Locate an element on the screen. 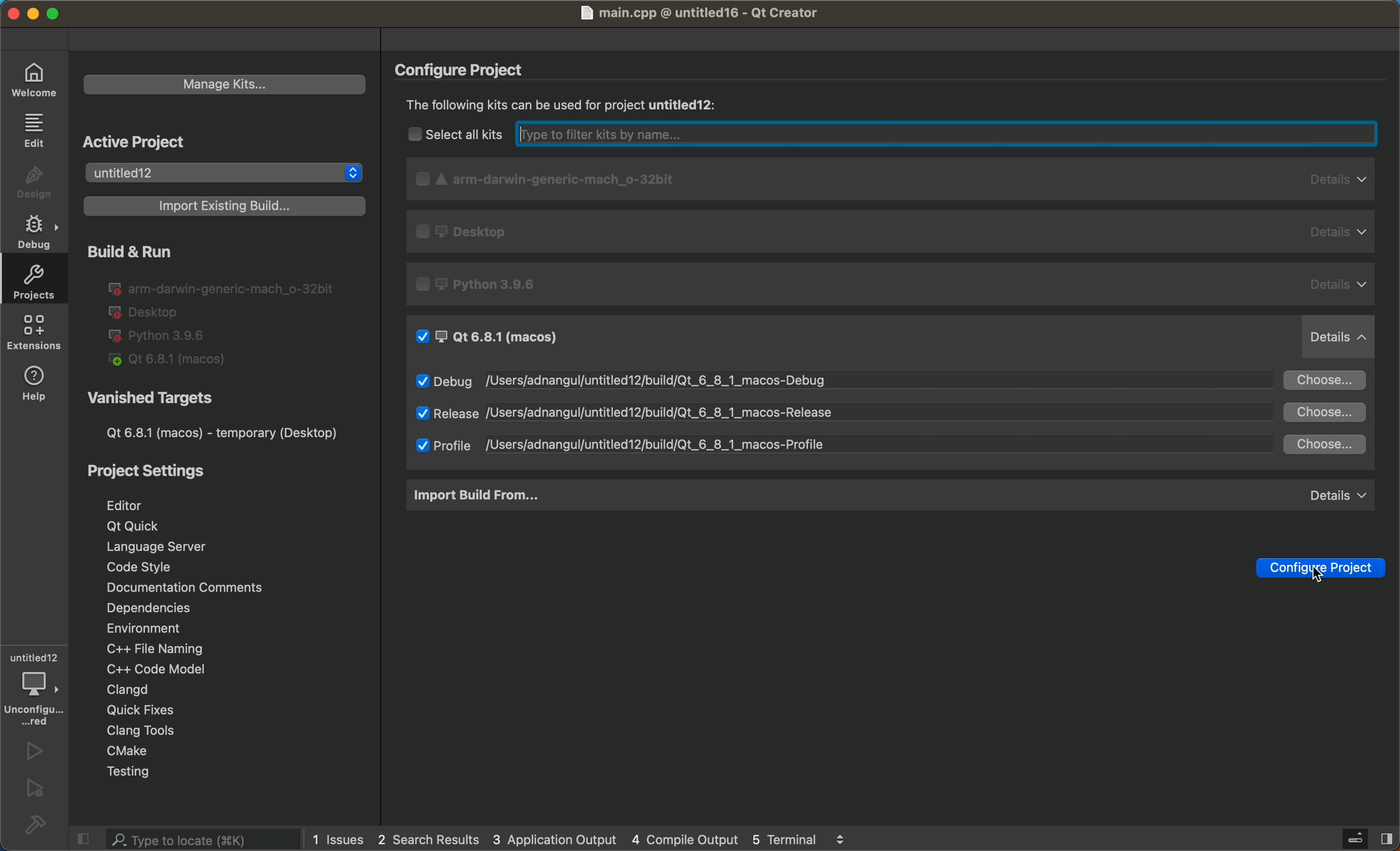 The height and width of the screenshot is (851, 1400). close sidebar is located at coordinates (1352, 836).